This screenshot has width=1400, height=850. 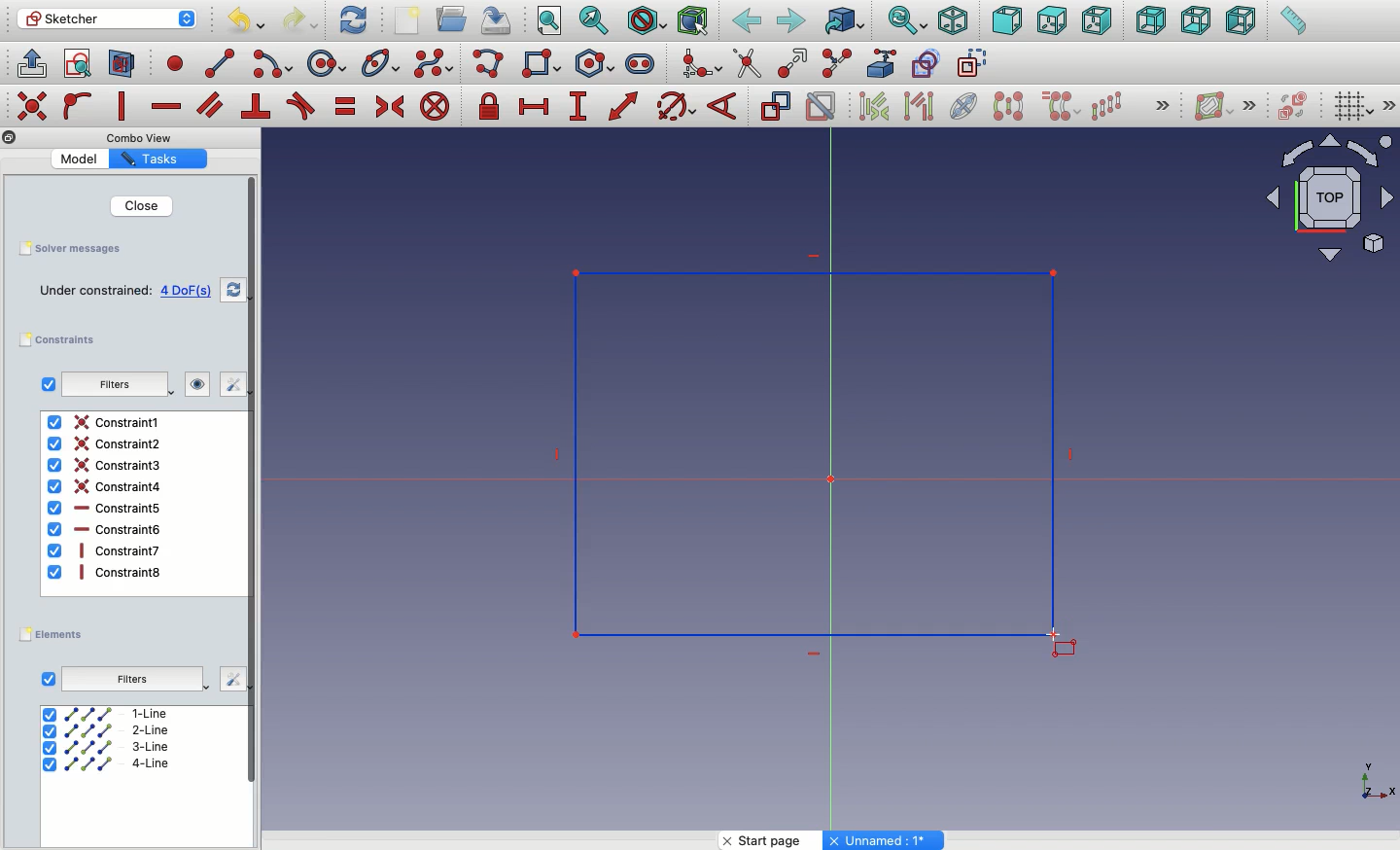 I want to click on Navigator, so click(x=1330, y=198).